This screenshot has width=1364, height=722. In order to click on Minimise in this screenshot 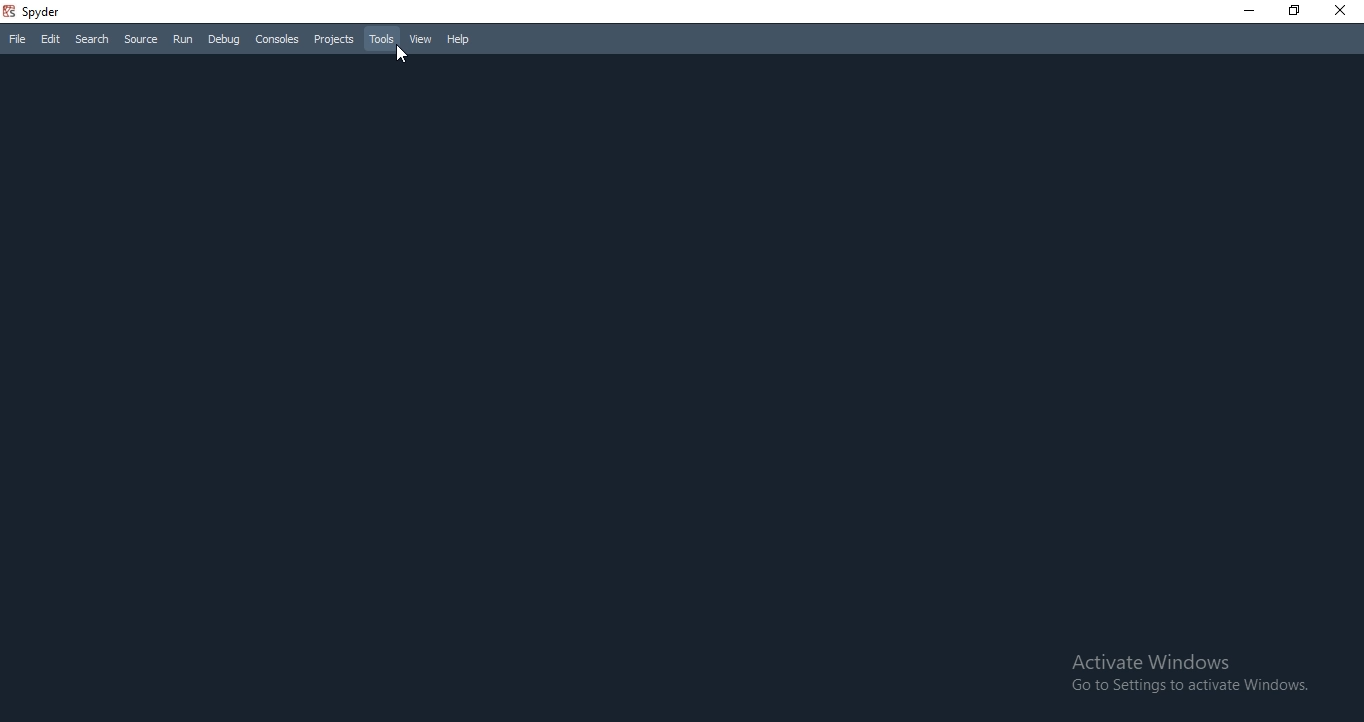, I will do `click(1244, 11)`.